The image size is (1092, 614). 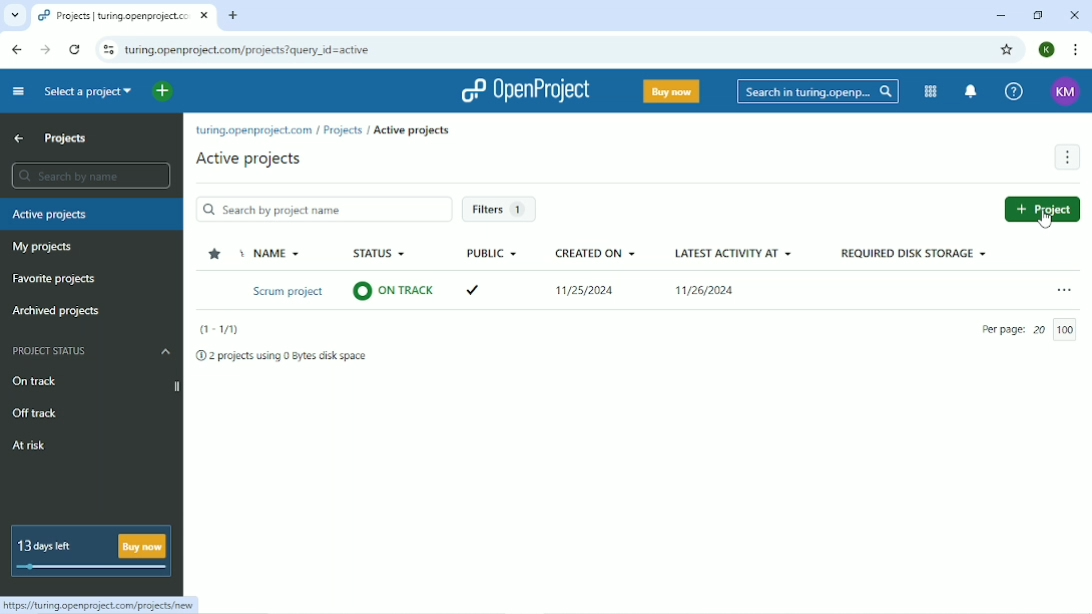 I want to click on My projects, so click(x=42, y=249).